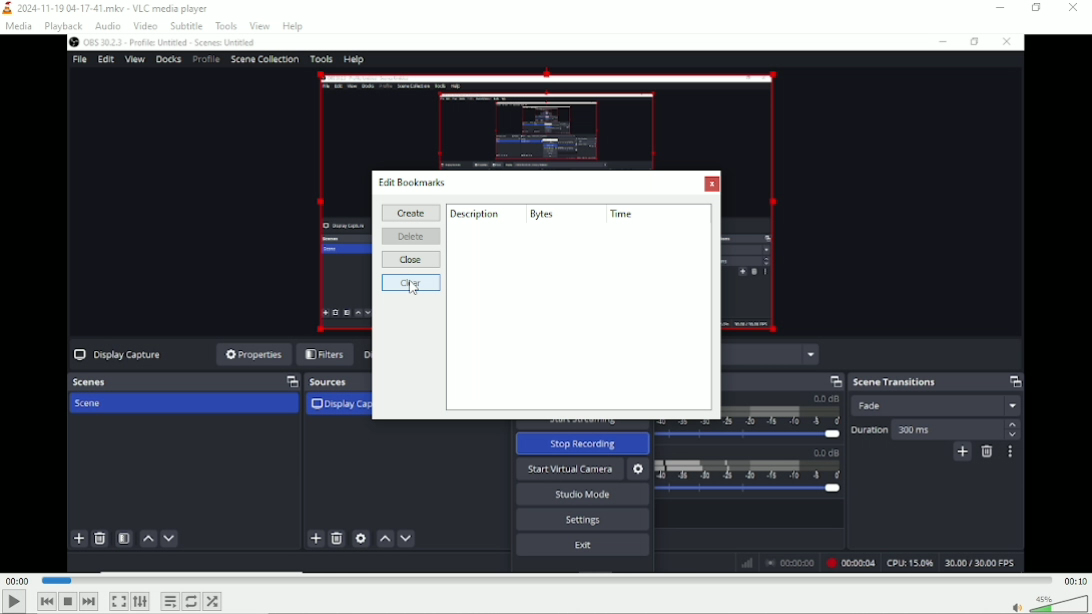 The image size is (1092, 614). What do you see at coordinates (106, 25) in the screenshot?
I see `Audio` at bounding box center [106, 25].